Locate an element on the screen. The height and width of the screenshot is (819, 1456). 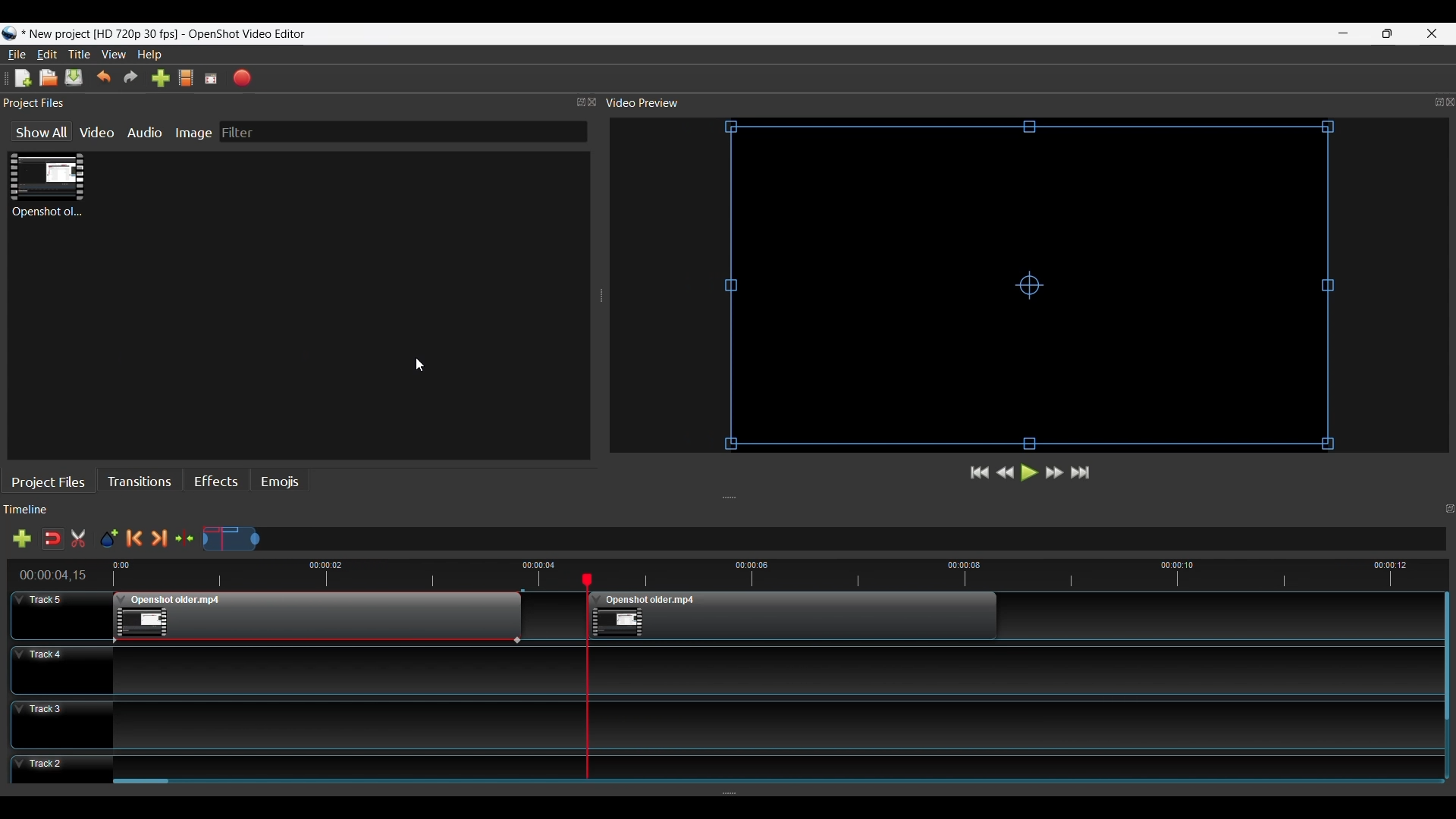
Image is located at coordinates (196, 132).